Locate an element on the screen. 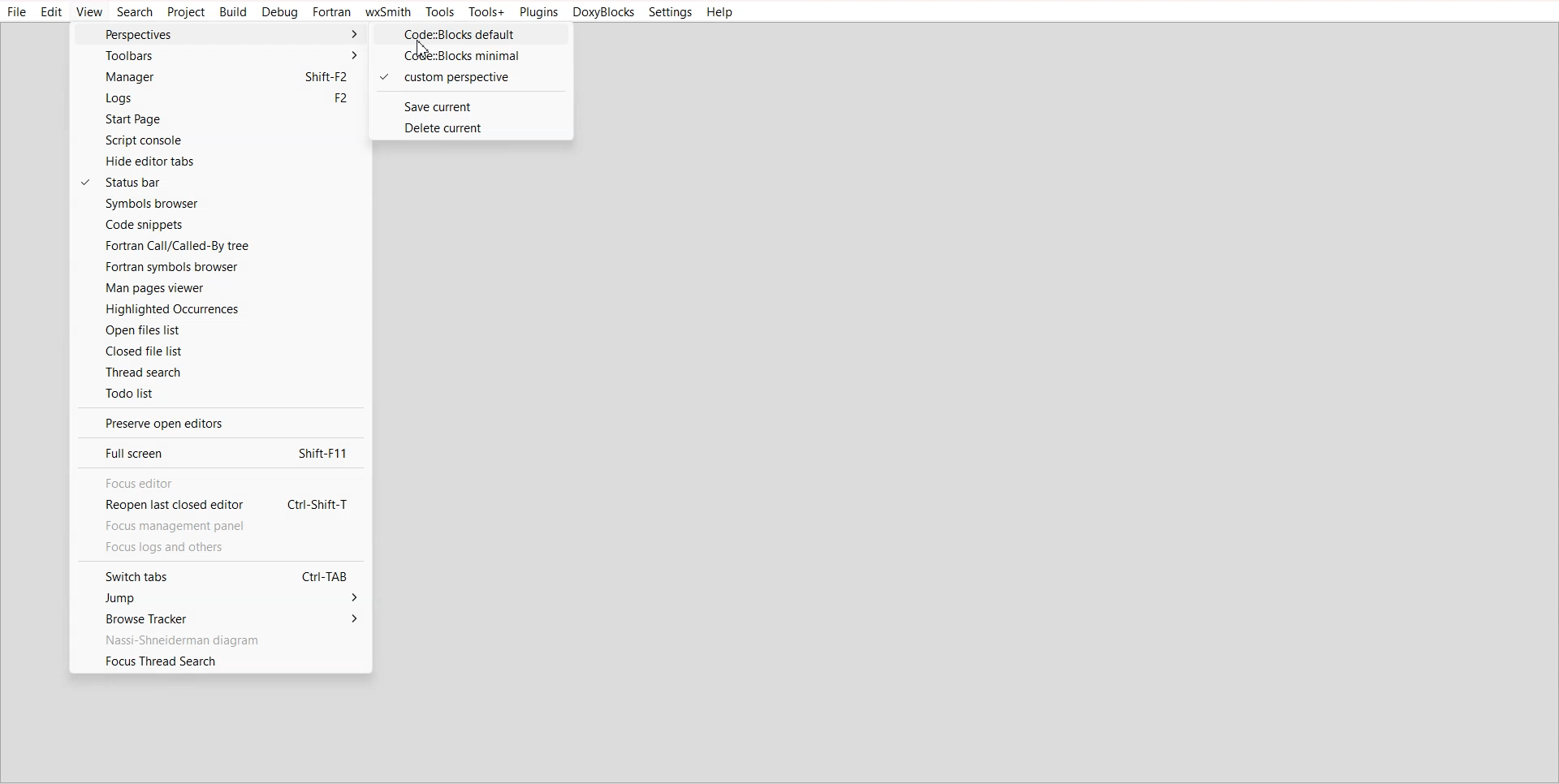  Code Snippets is located at coordinates (220, 224).